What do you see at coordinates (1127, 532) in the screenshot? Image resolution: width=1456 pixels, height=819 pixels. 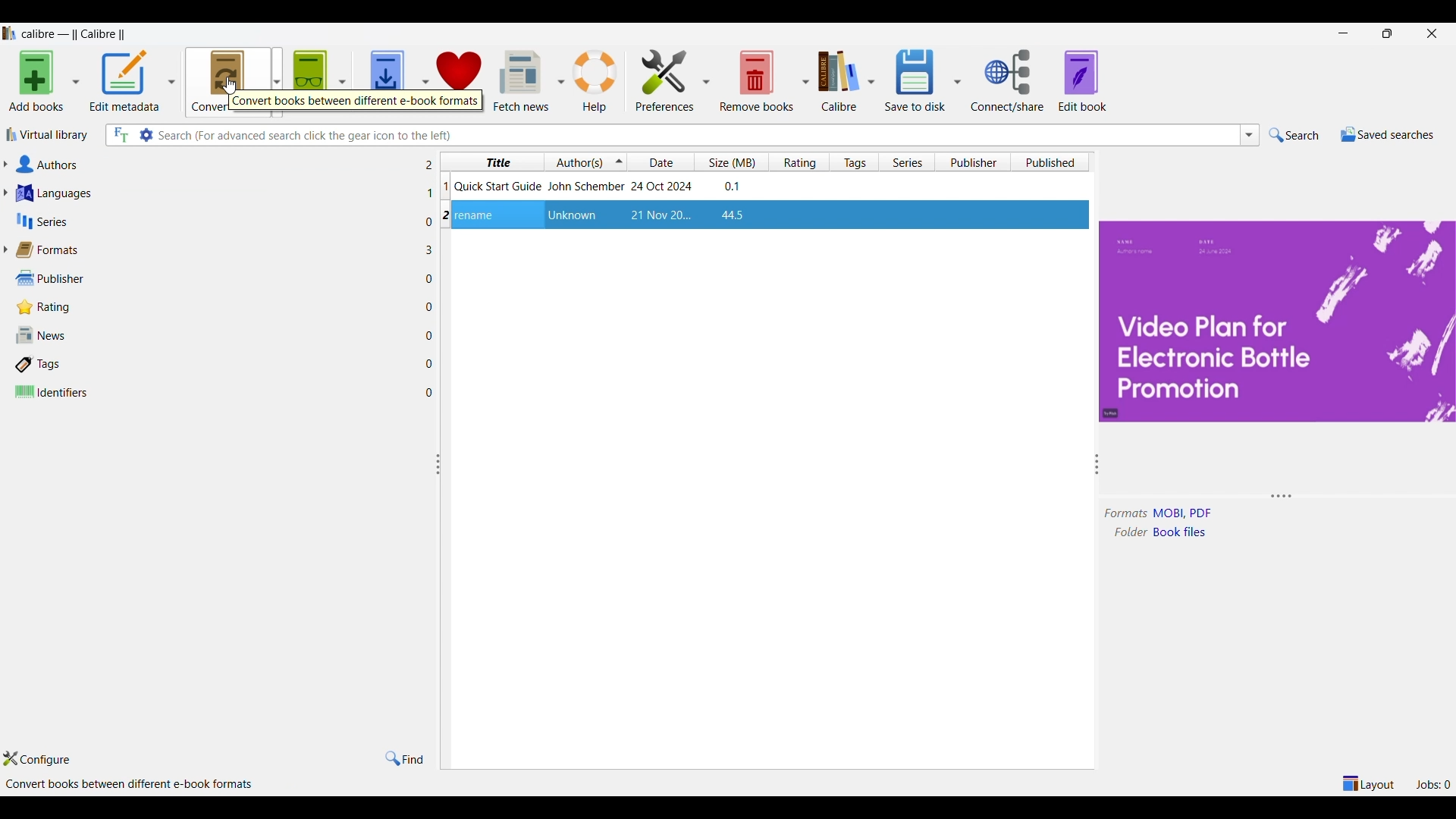 I see `folder` at bounding box center [1127, 532].